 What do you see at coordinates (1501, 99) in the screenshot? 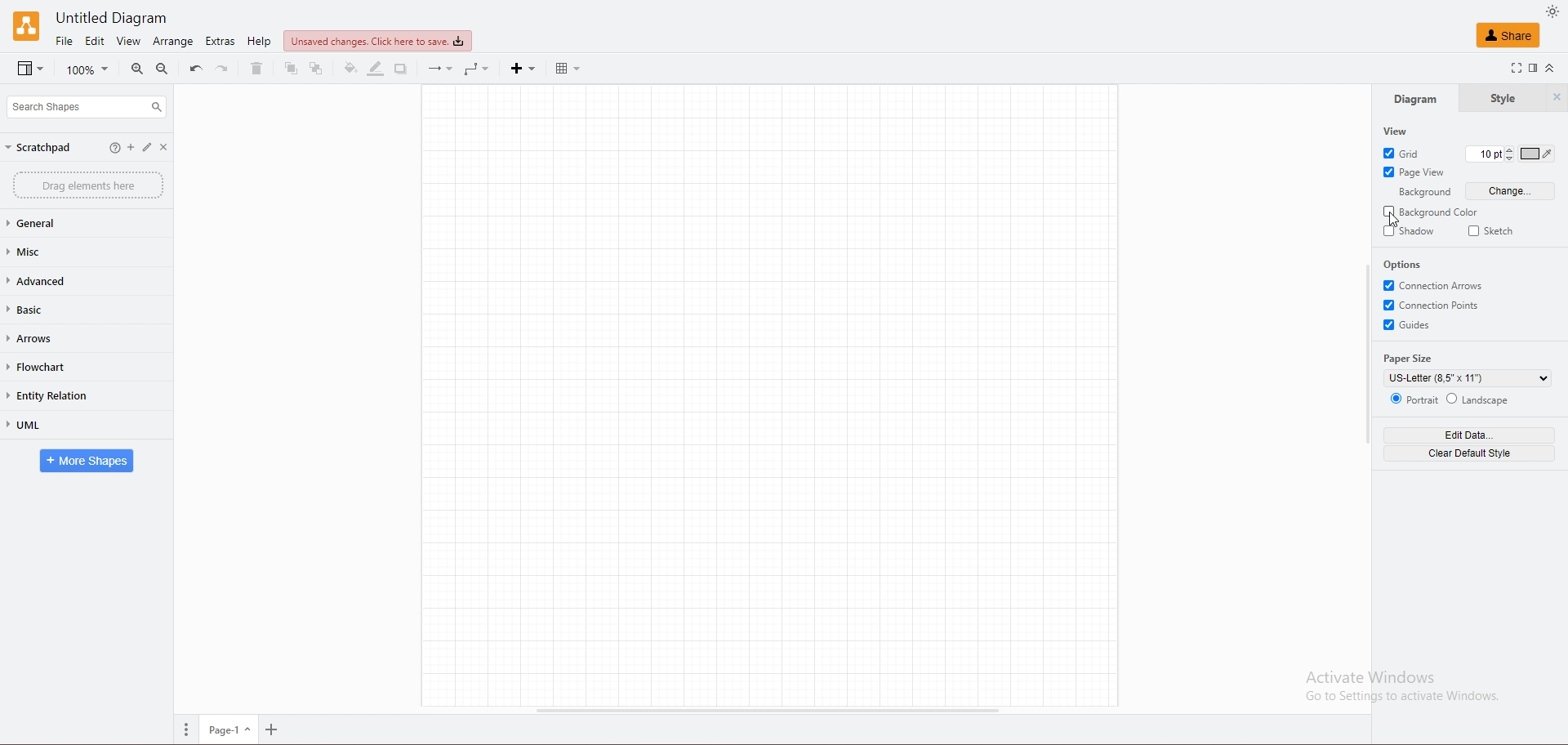
I see `style` at bounding box center [1501, 99].